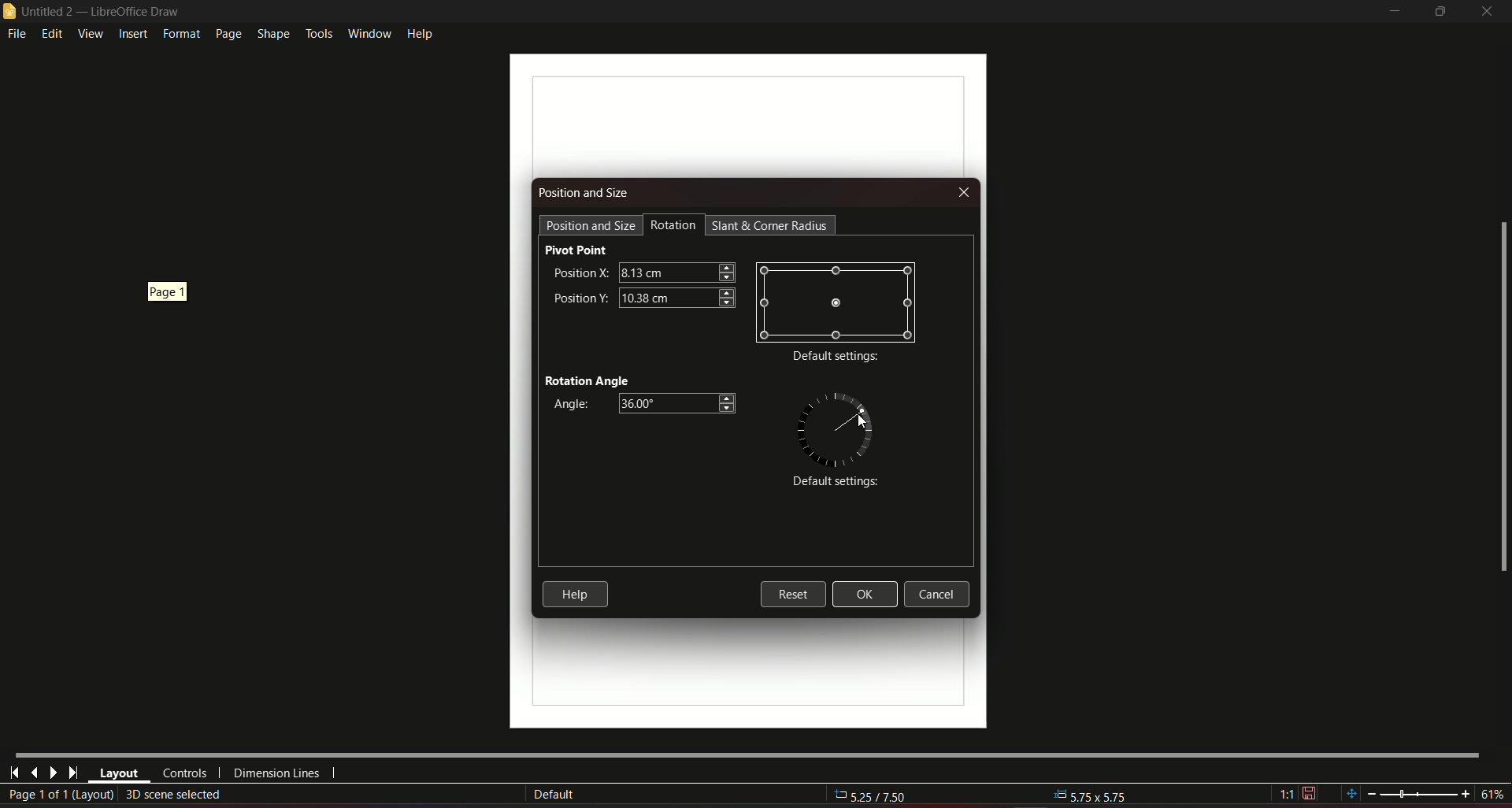 This screenshot has width=1512, height=808. What do you see at coordinates (576, 250) in the screenshot?
I see `Pivot Point` at bounding box center [576, 250].